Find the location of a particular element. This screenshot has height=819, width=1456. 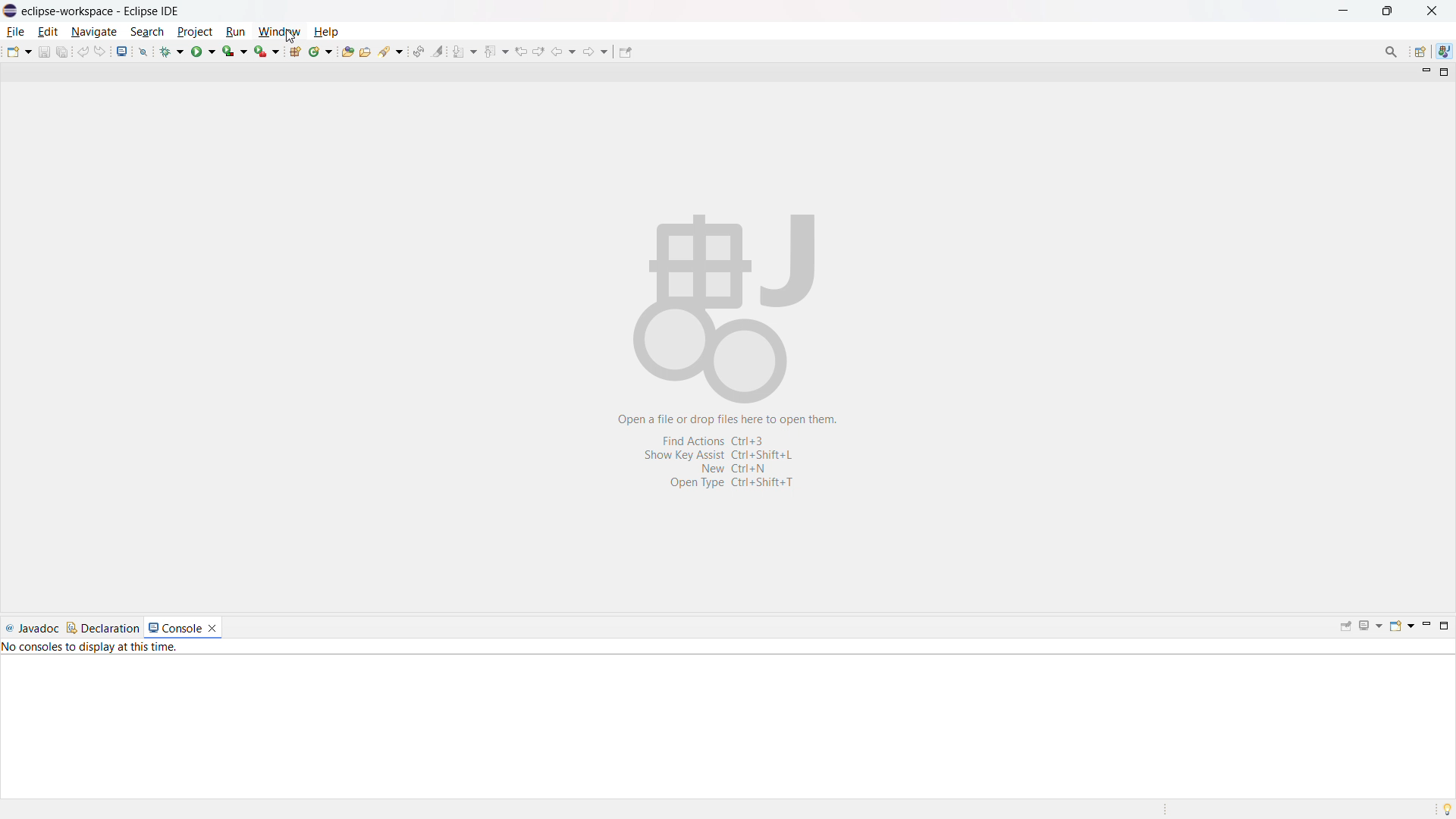

search is located at coordinates (391, 50).